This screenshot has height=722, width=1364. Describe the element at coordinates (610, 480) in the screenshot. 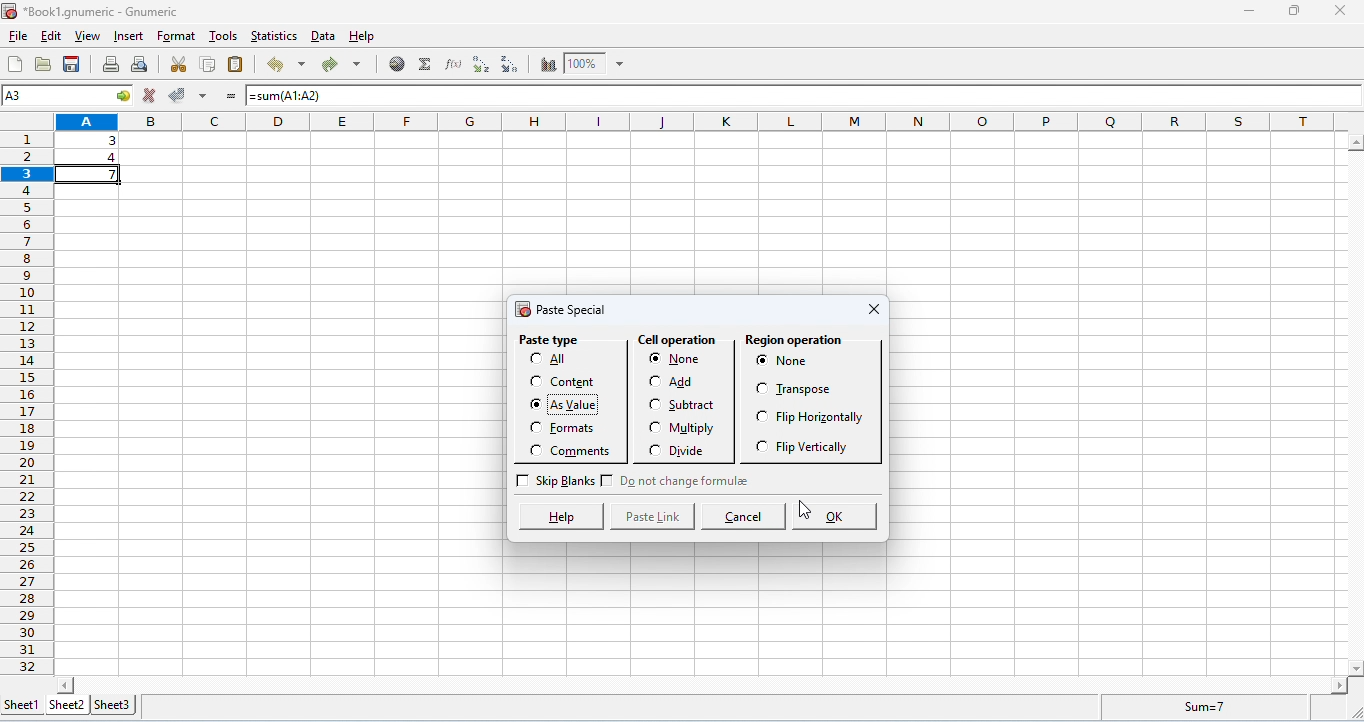

I see `Checkbox` at that location.